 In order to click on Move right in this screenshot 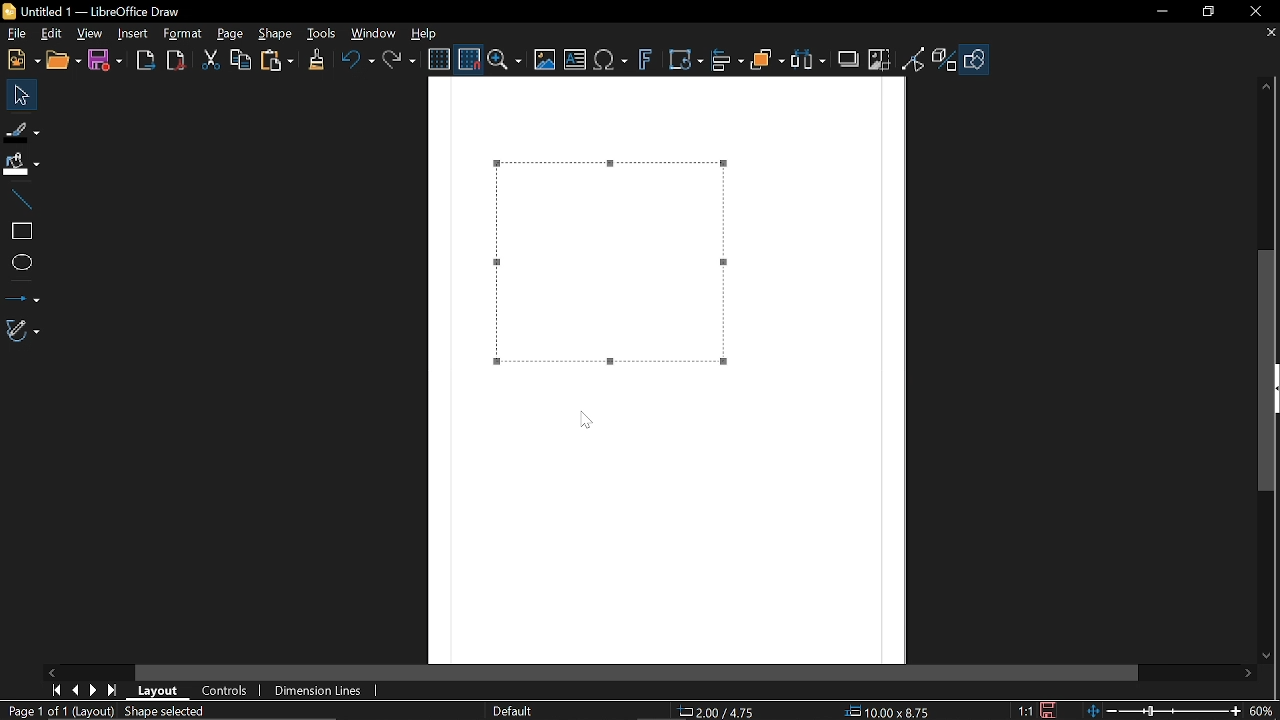, I will do `click(53, 672)`.